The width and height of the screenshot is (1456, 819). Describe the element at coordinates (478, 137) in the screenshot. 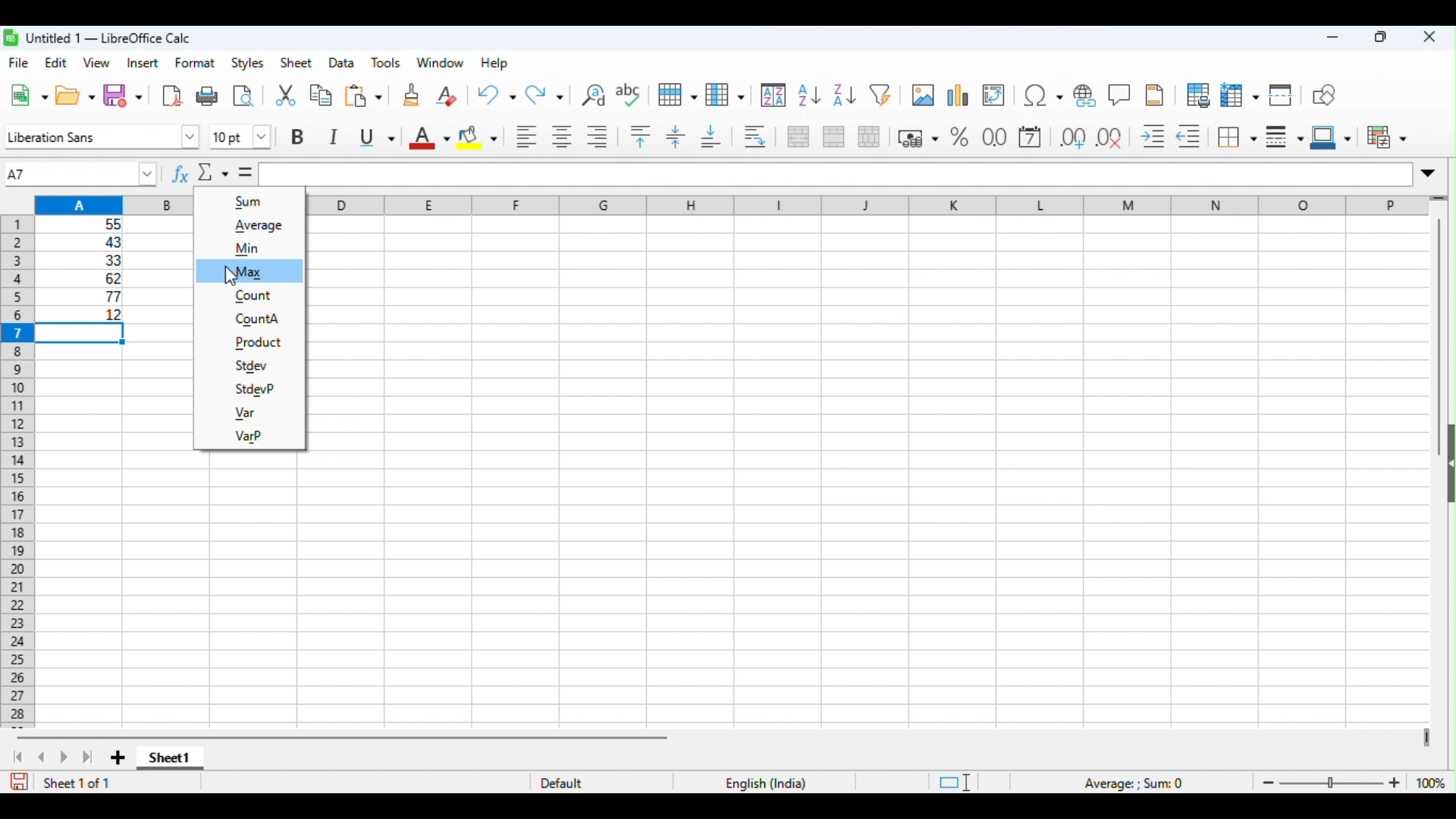

I see `background color` at that location.